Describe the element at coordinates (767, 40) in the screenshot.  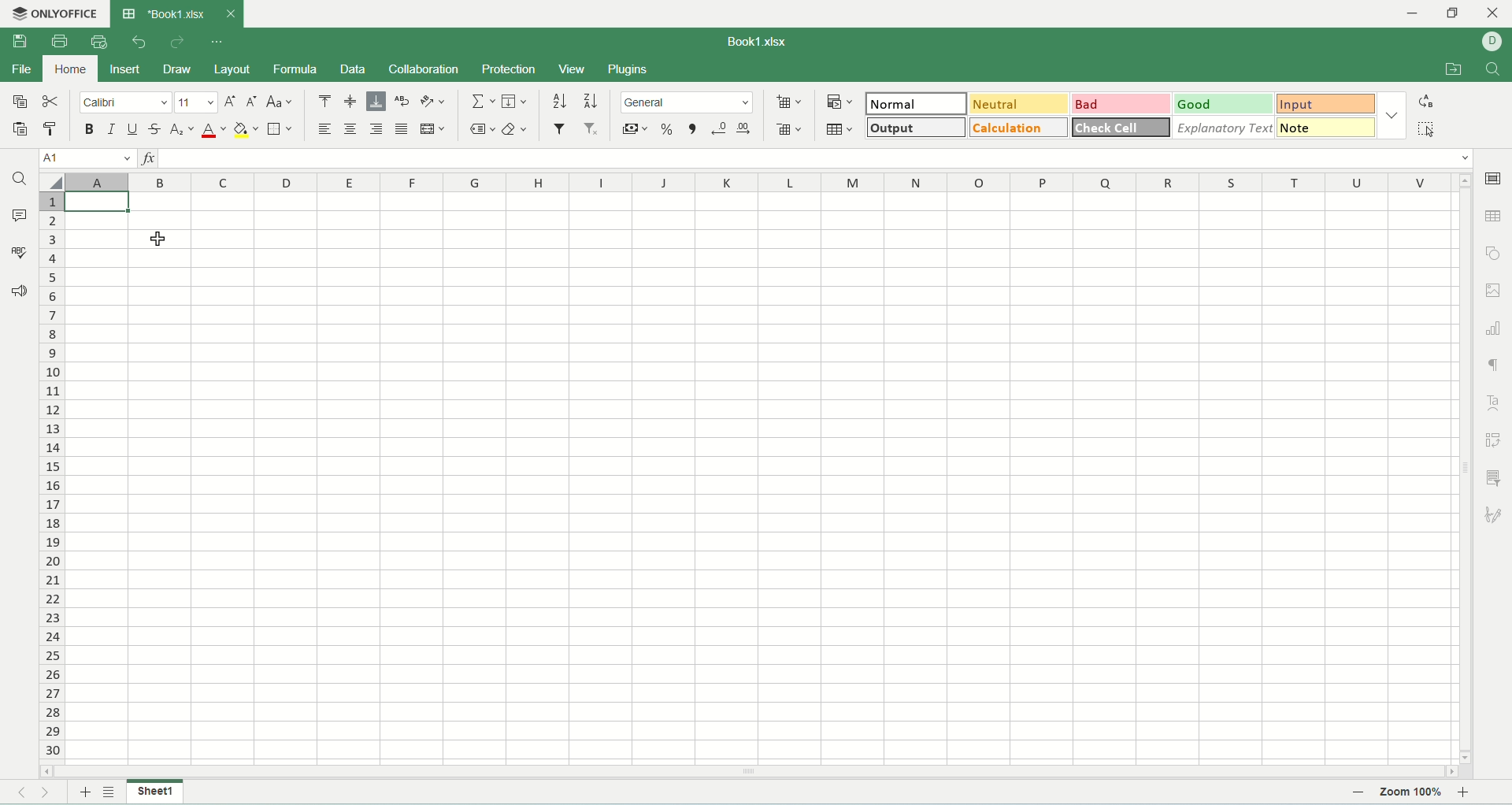
I see `Book1.xlsx` at that location.